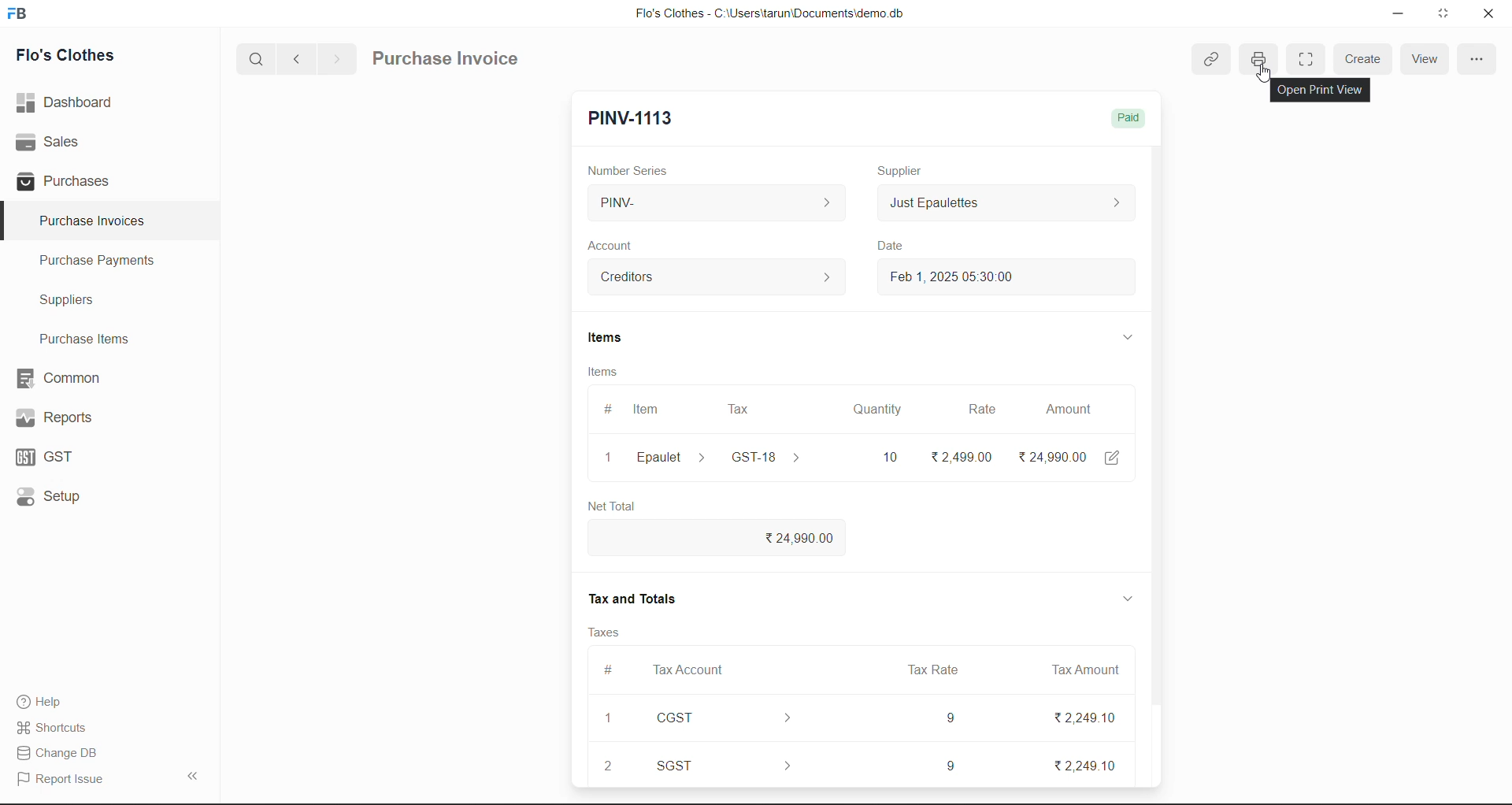  I want to click on print view, so click(1262, 57).